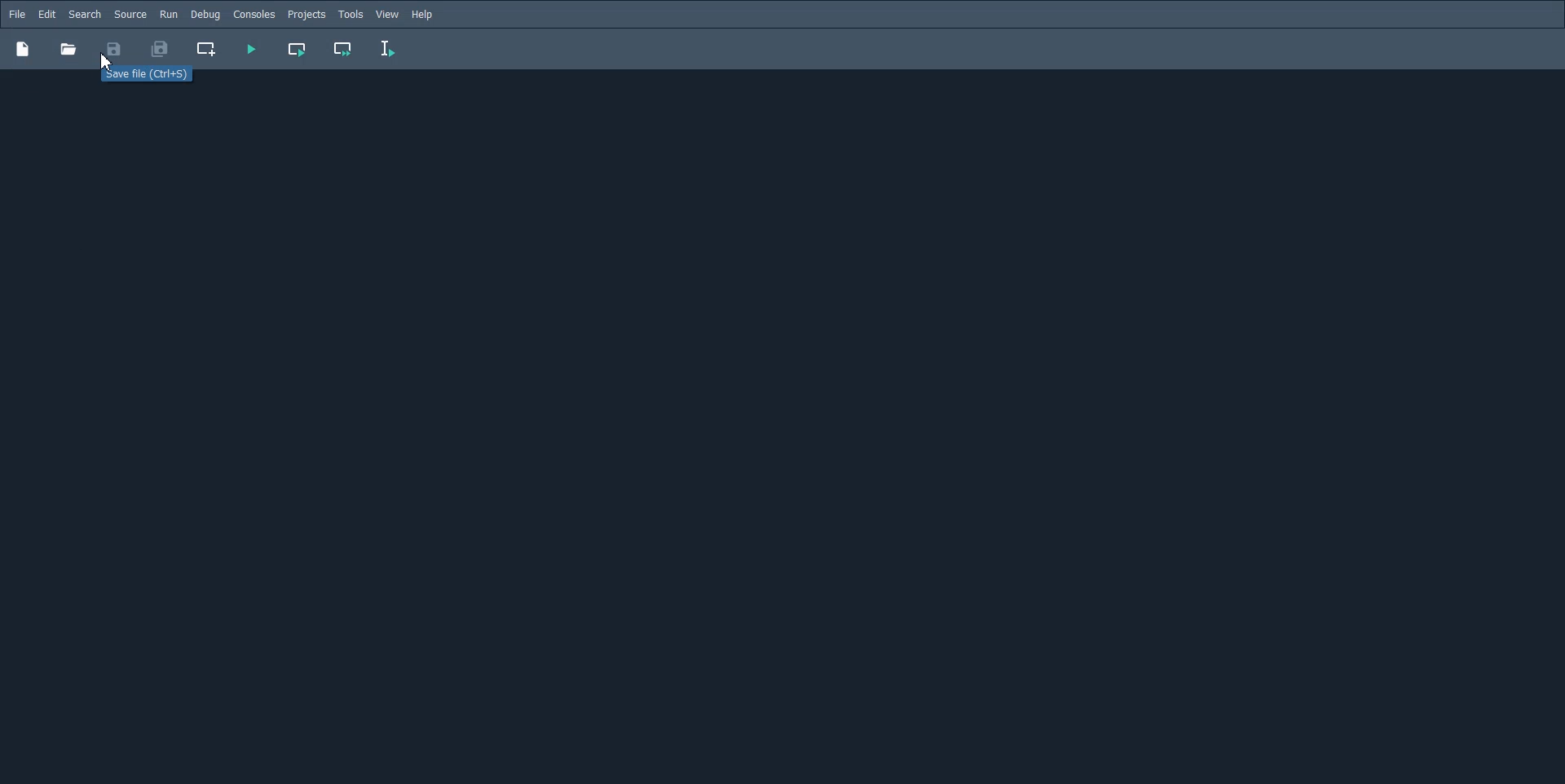  Describe the element at coordinates (350, 15) in the screenshot. I see `Tools` at that location.